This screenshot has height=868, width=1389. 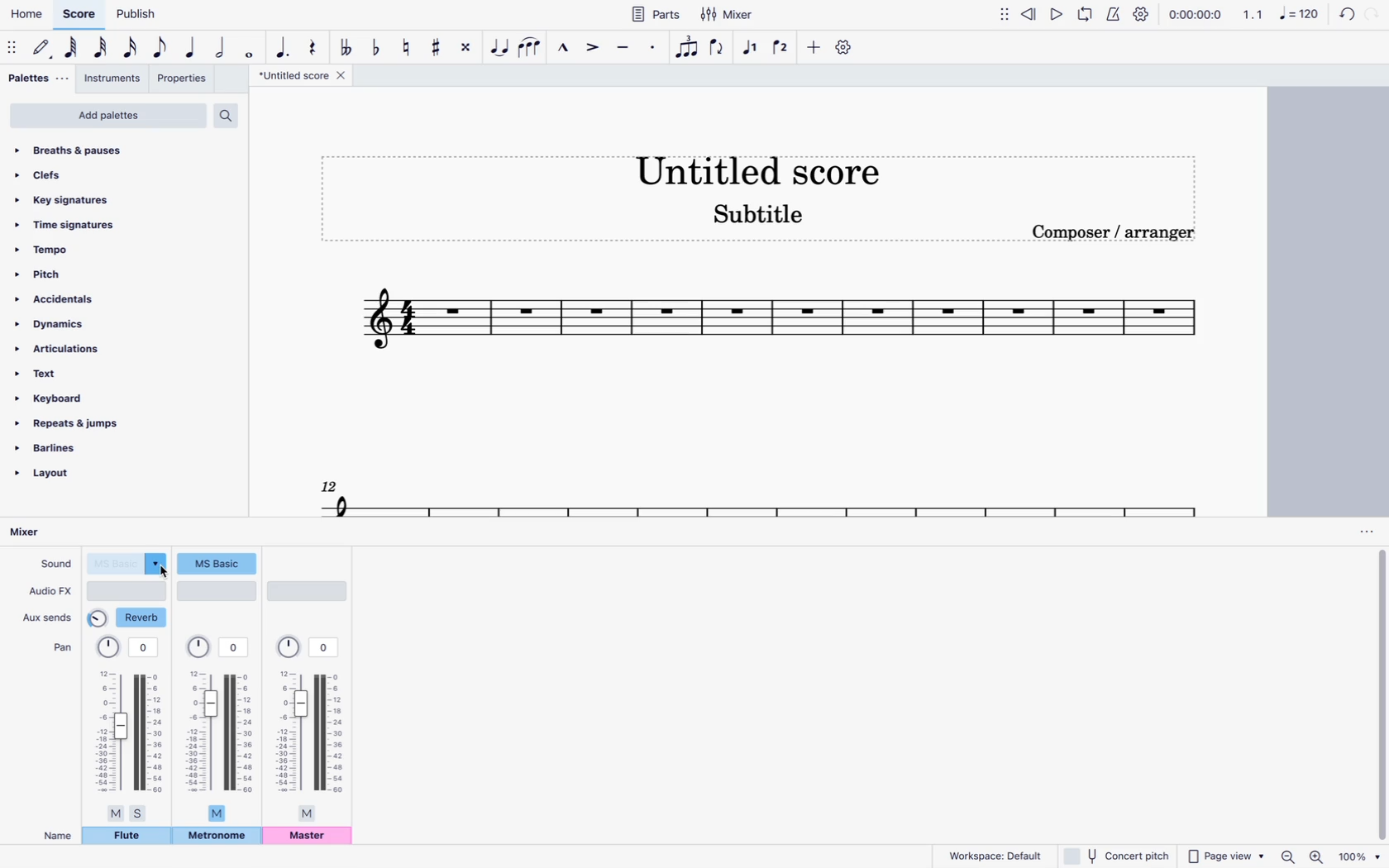 What do you see at coordinates (1281, 13) in the screenshot?
I see `scale` at bounding box center [1281, 13].